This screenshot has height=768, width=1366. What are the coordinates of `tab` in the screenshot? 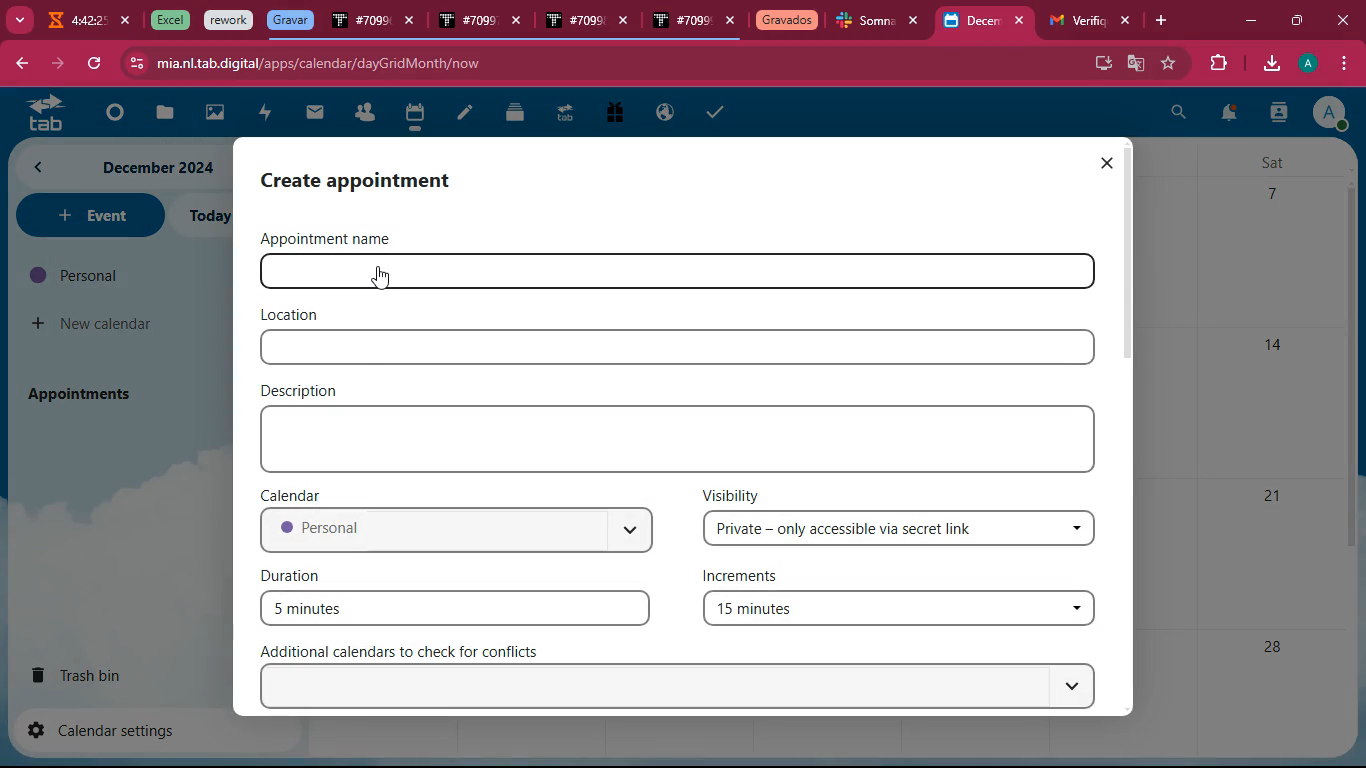 It's located at (39, 112).